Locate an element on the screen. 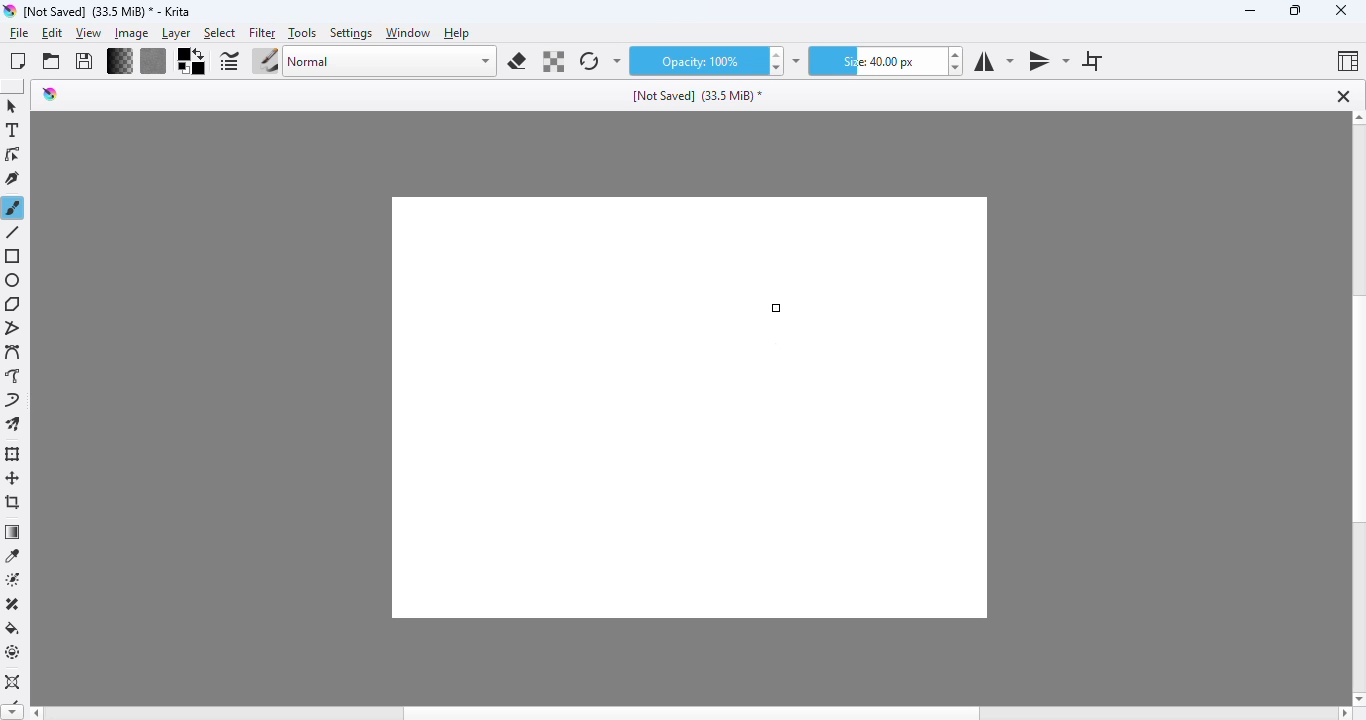 The width and height of the screenshot is (1366, 720). edit is located at coordinates (52, 34).